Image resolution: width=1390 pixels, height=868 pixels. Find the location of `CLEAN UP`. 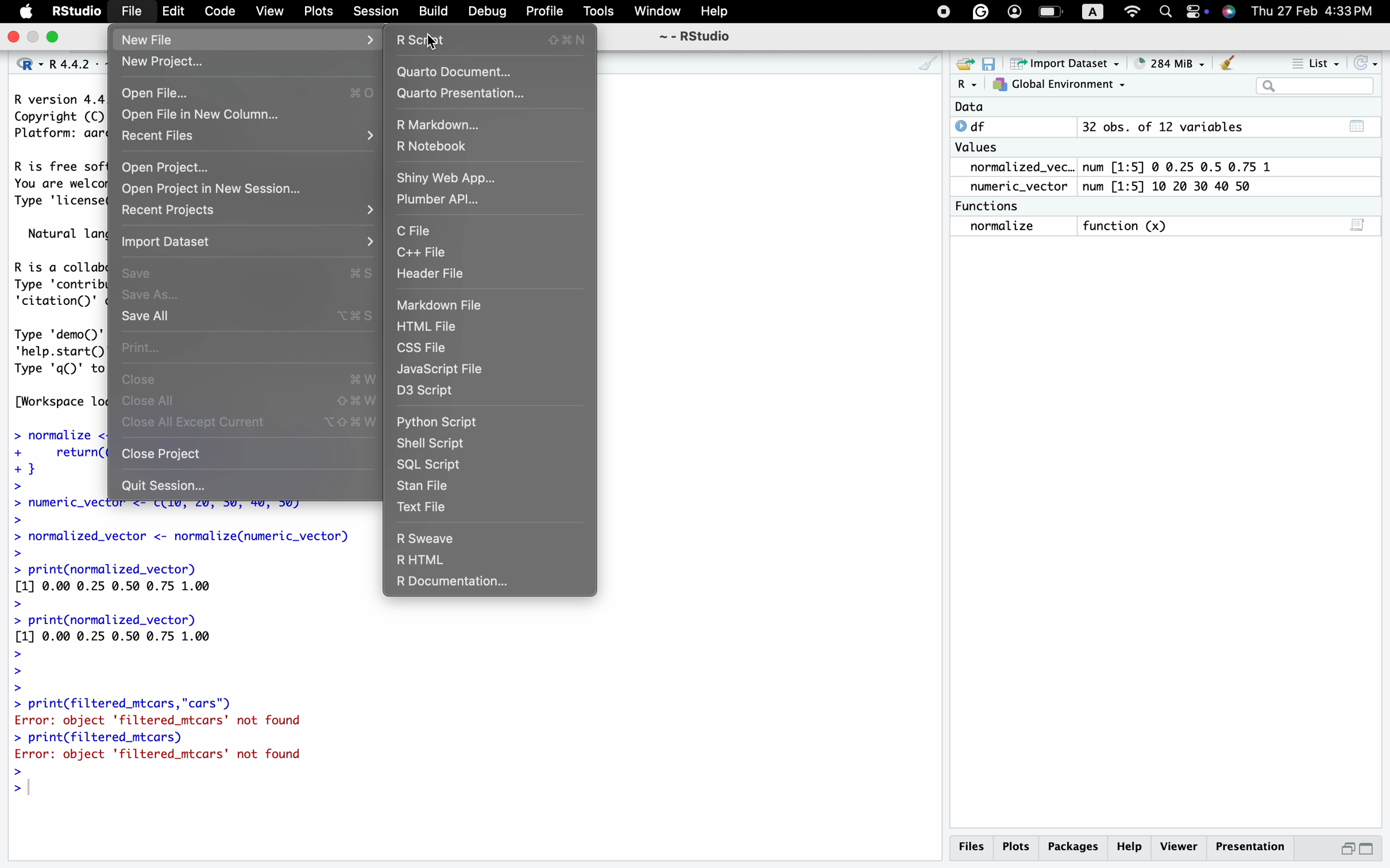

CLEAN UP is located at coordinates (1228, 62).